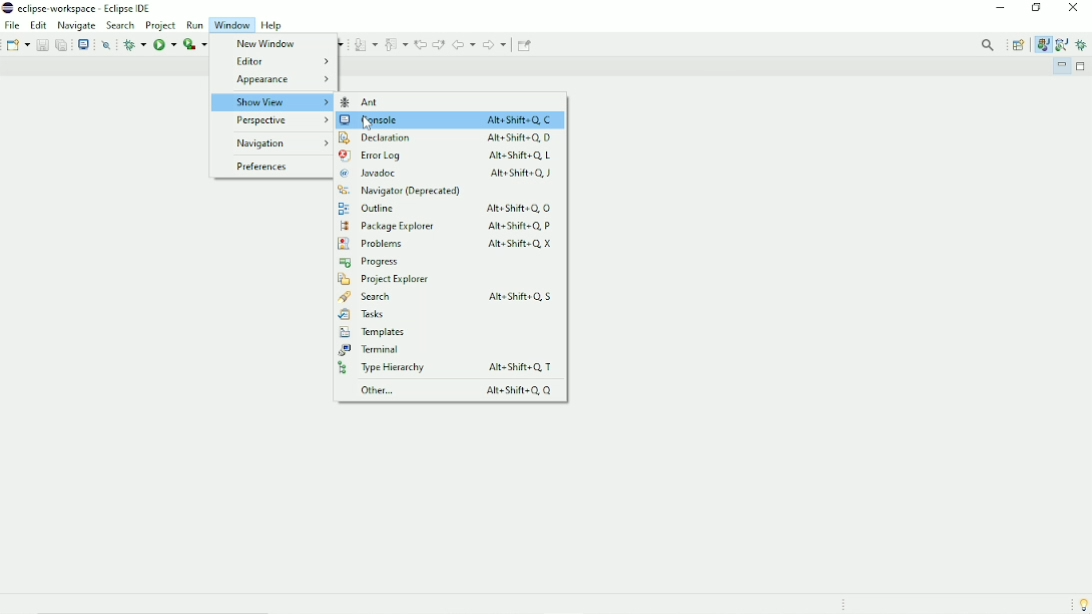  I want to click on Editor, so click(280, 62).